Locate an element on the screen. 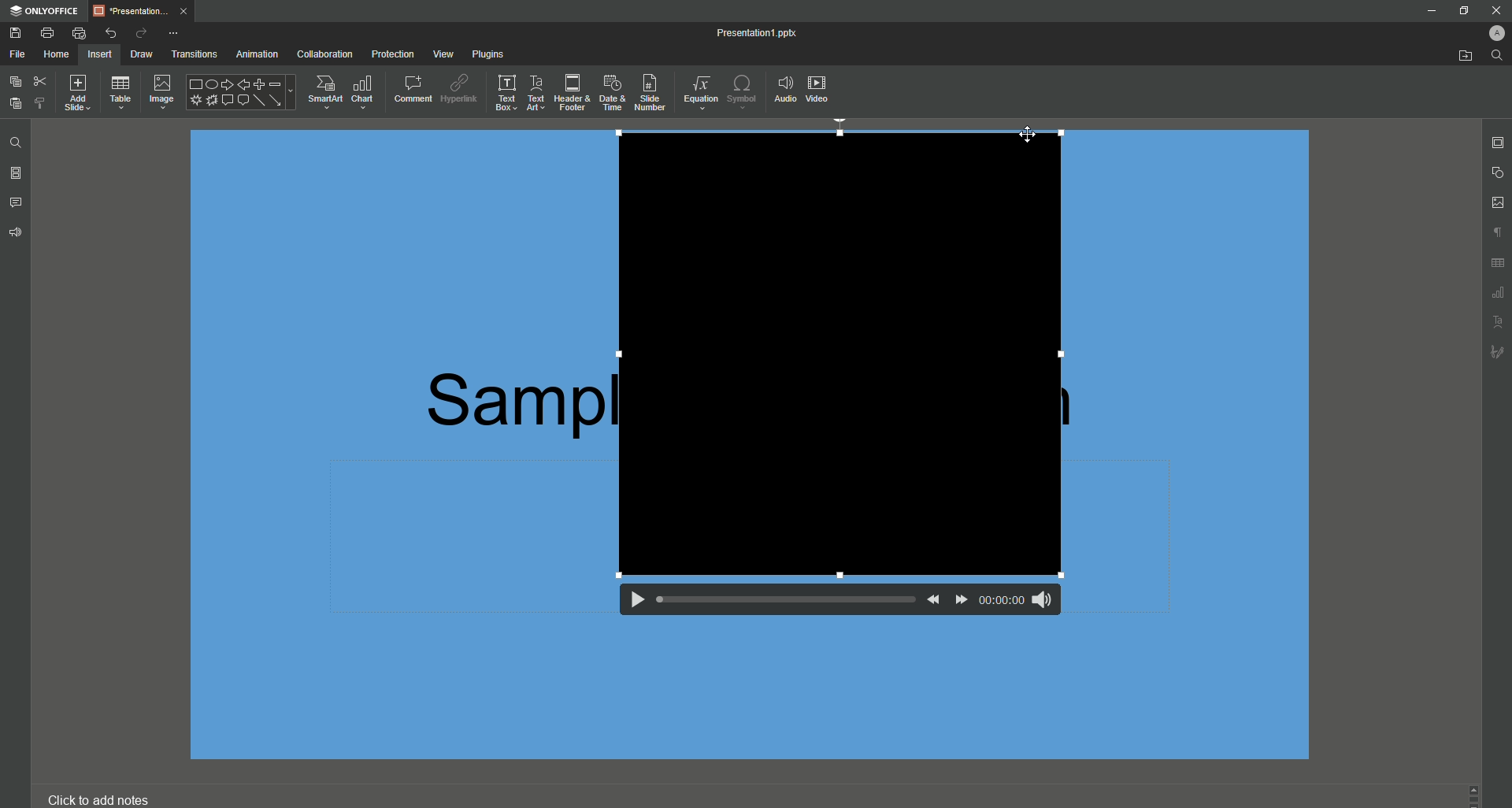 The height and width of the screenshot is (808, 1512). More Options is located at coordinates (177, 33).